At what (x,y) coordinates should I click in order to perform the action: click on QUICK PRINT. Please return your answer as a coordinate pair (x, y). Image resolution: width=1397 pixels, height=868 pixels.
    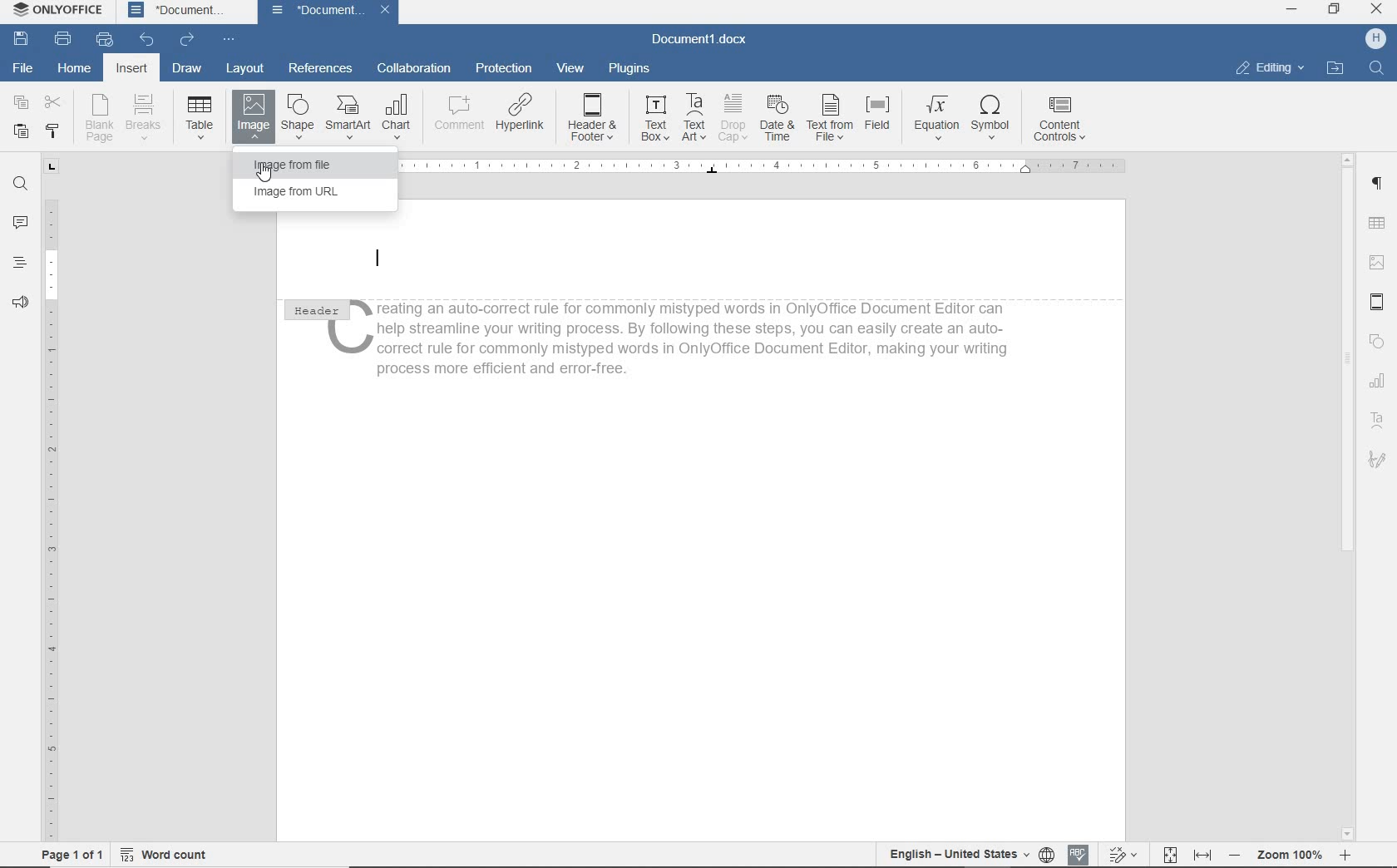
    Looking at the image, I should click on (105, 37).